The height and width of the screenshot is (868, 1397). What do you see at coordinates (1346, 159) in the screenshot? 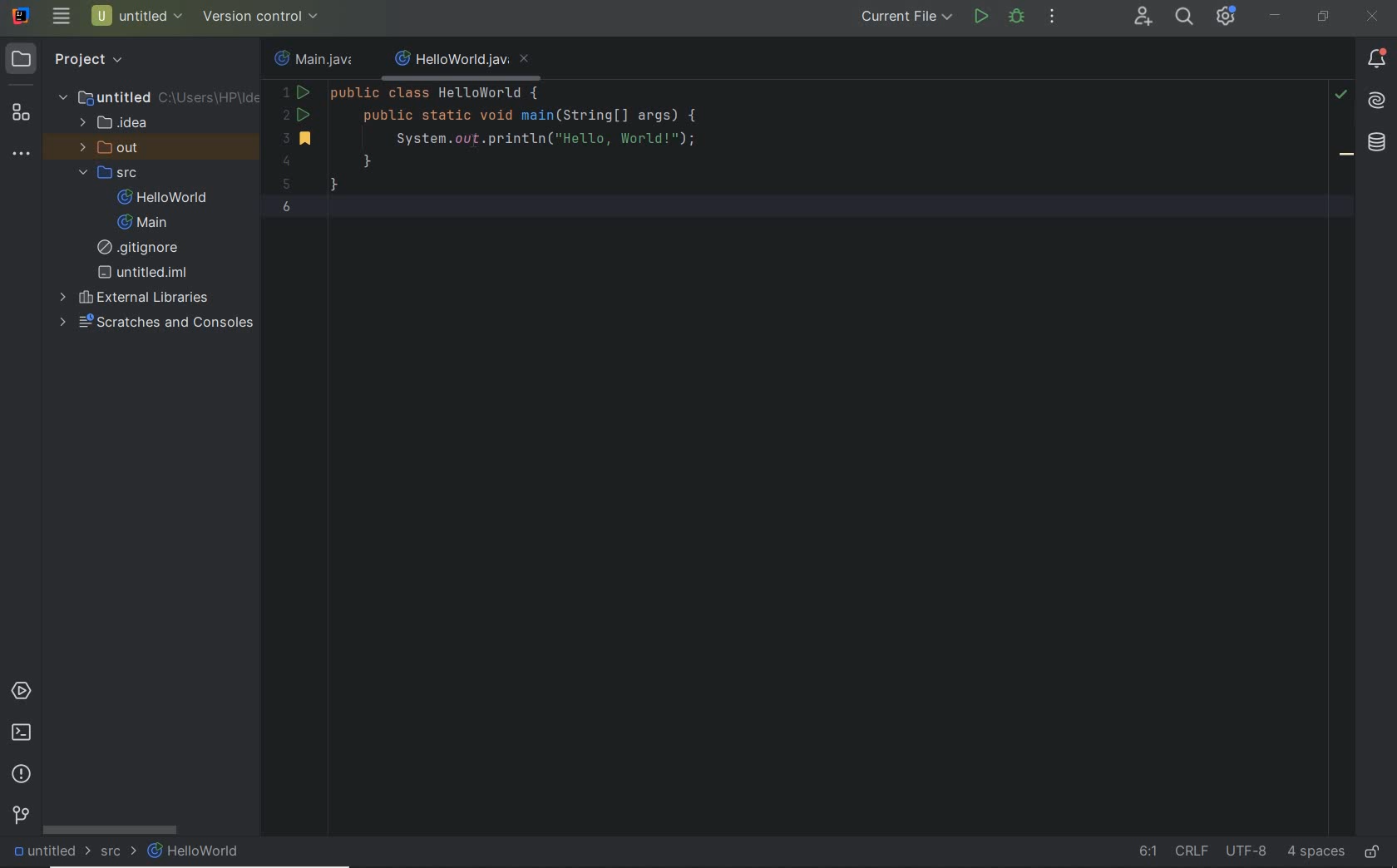
I see `F11 to toggle` at bounding box center [1346, 159].